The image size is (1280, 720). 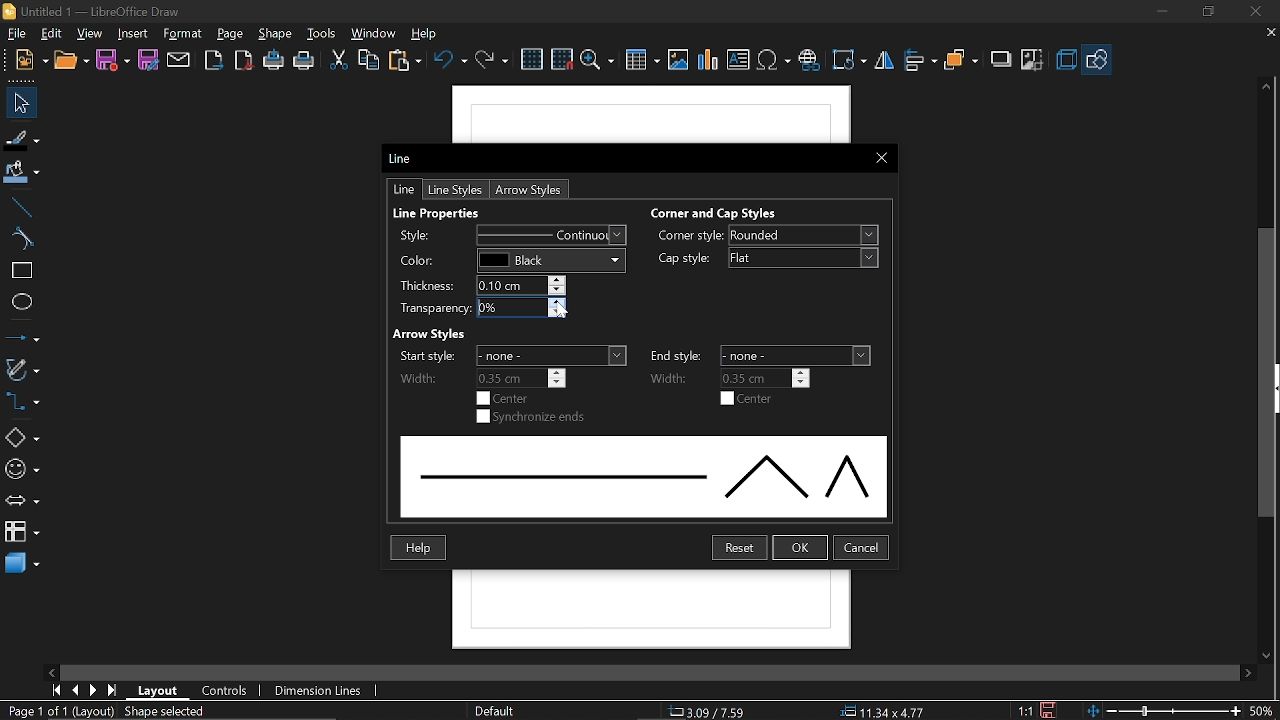 What do you see at coordinates (879, 159) in the screenshot?
I see `CLose` at bounding box center [879, 159].